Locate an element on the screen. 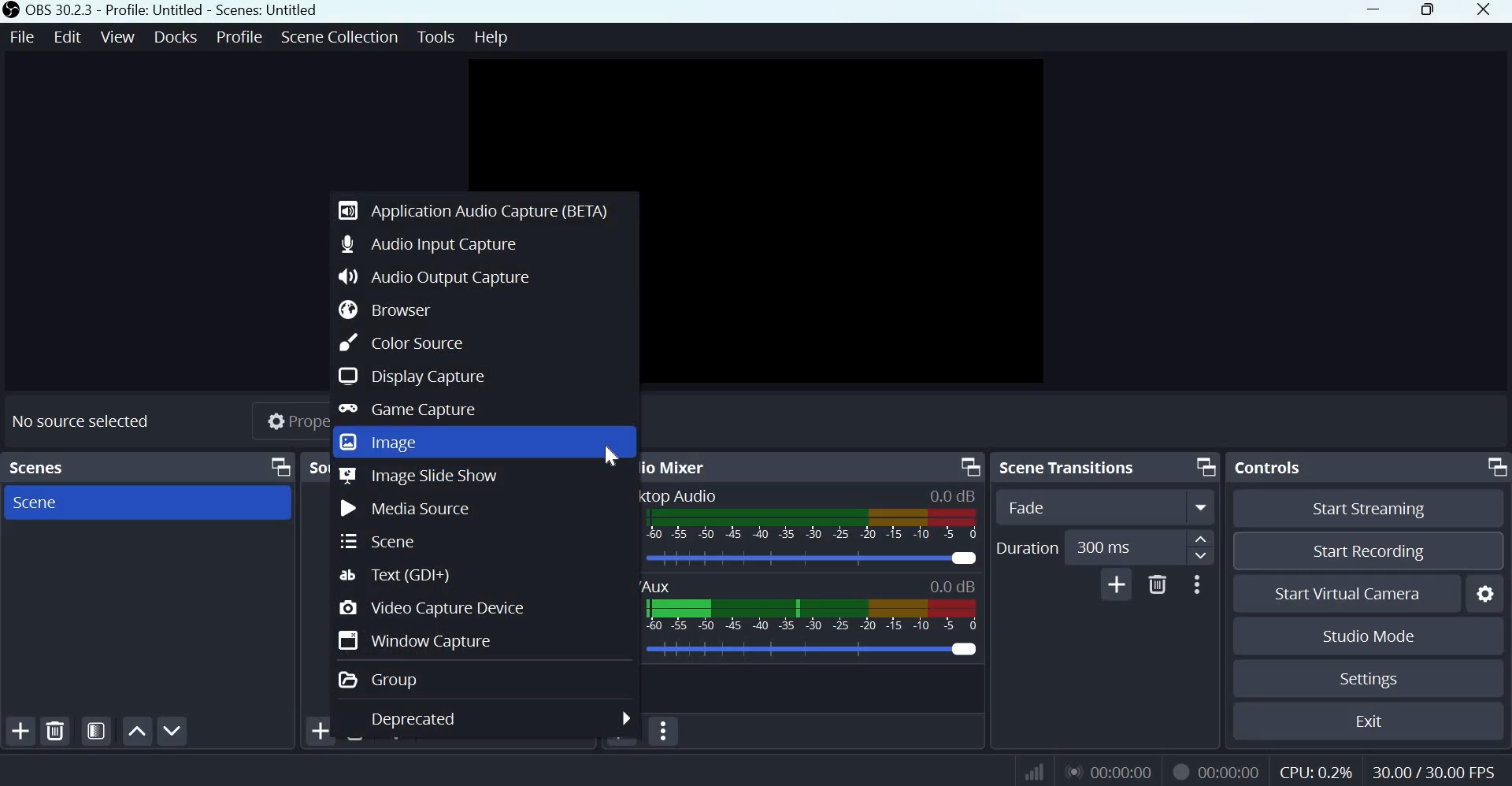 This screenshot has height=786, width=1512. Duration is located at coordinates (1028, 548).